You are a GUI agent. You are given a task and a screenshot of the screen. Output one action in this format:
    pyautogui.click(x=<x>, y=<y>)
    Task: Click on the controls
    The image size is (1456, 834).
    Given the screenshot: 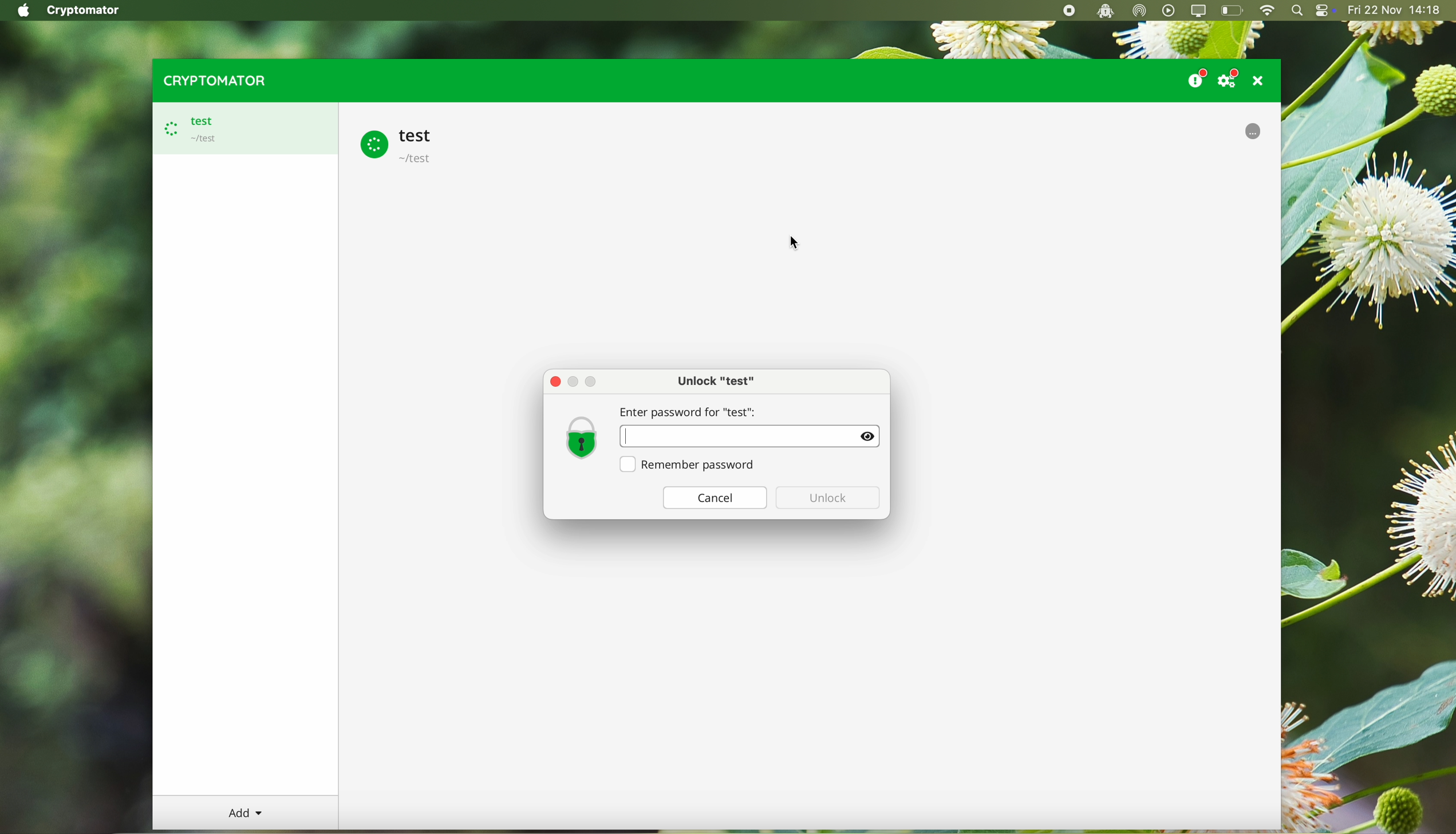 What is the action you would take?
    pyautogui.click(x=1325, y=11)
    